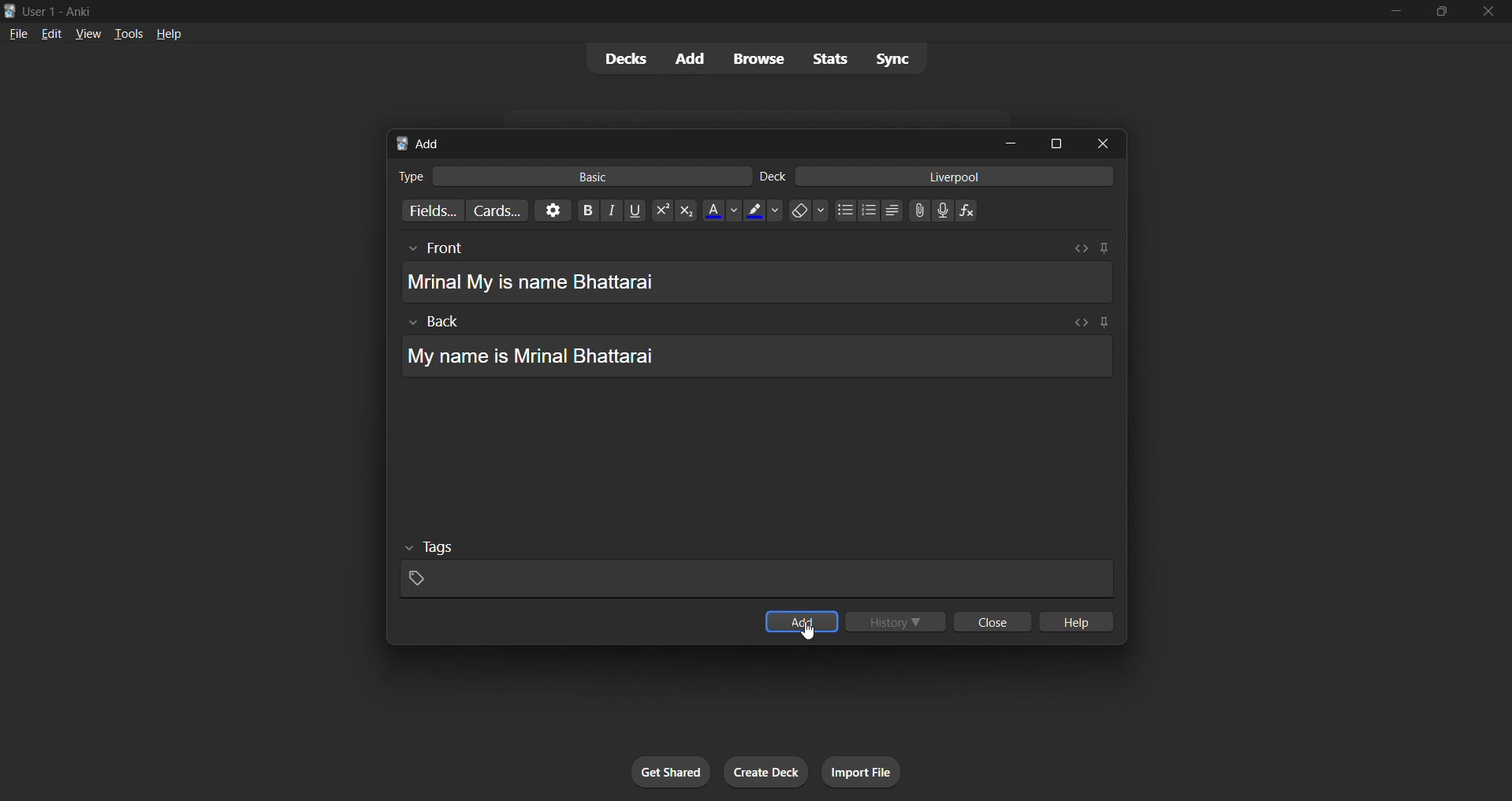  I want to click on unordered list, so click(843, 210).